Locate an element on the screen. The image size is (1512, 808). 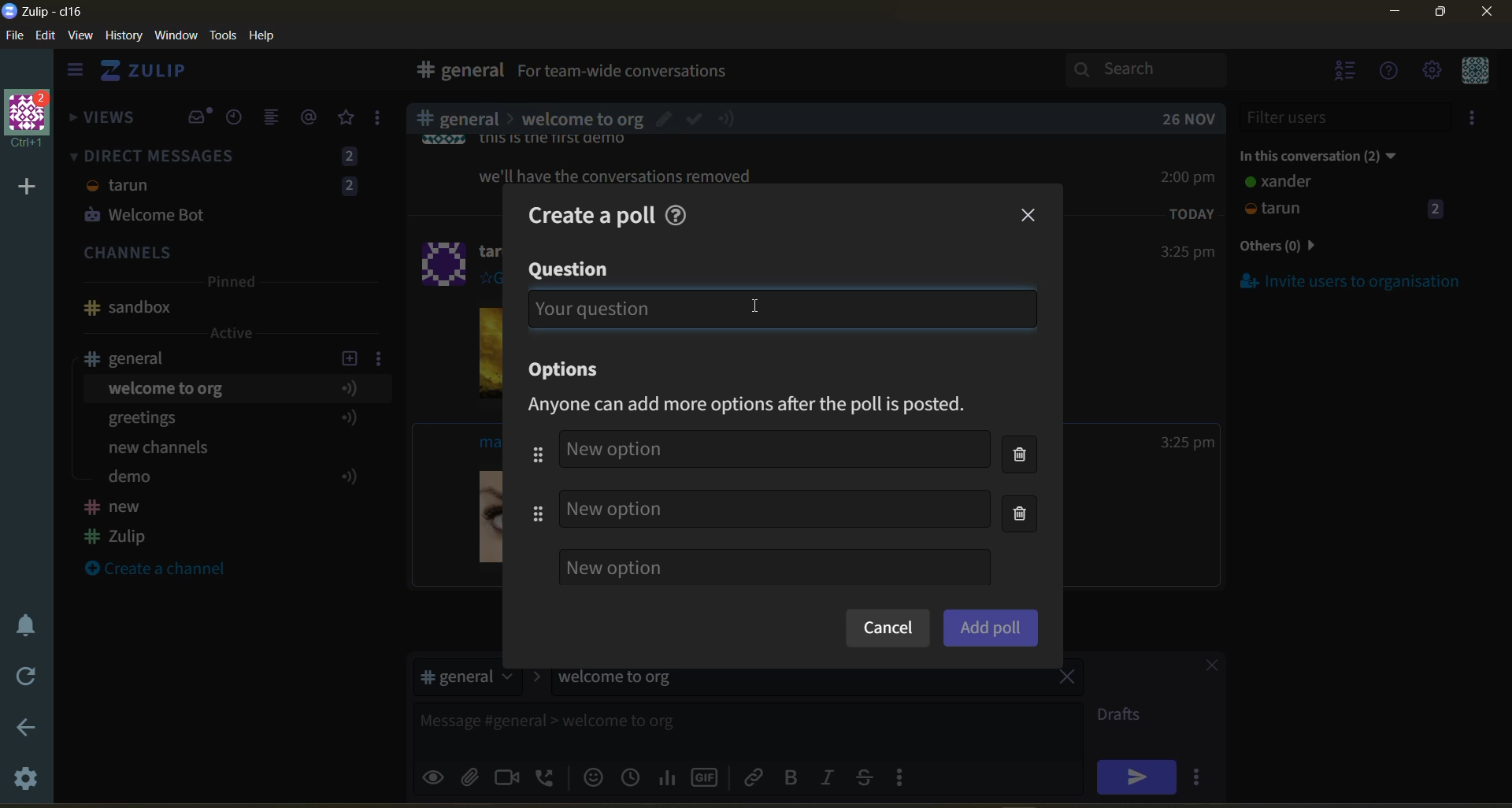
Overview of your conversations with unread messages is located at coordinates (696, 73).